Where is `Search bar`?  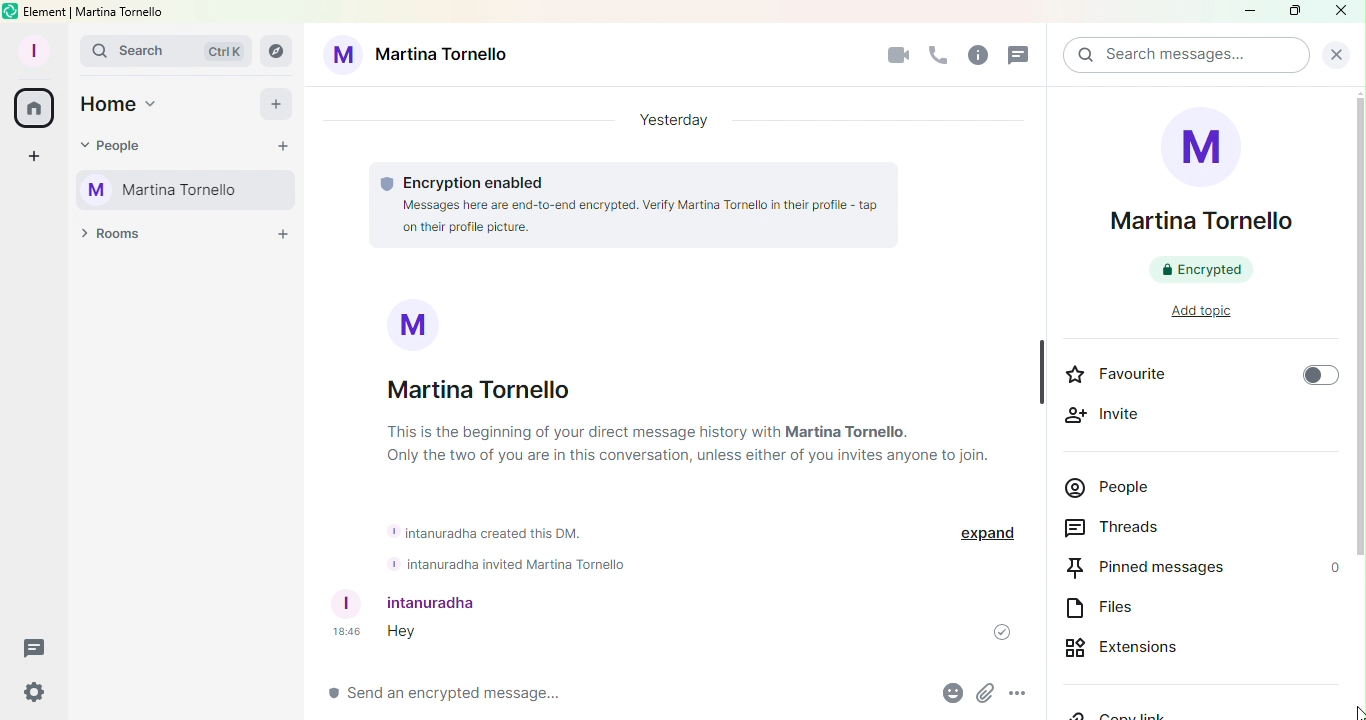 Search bar is located at coordinates (168, 51).